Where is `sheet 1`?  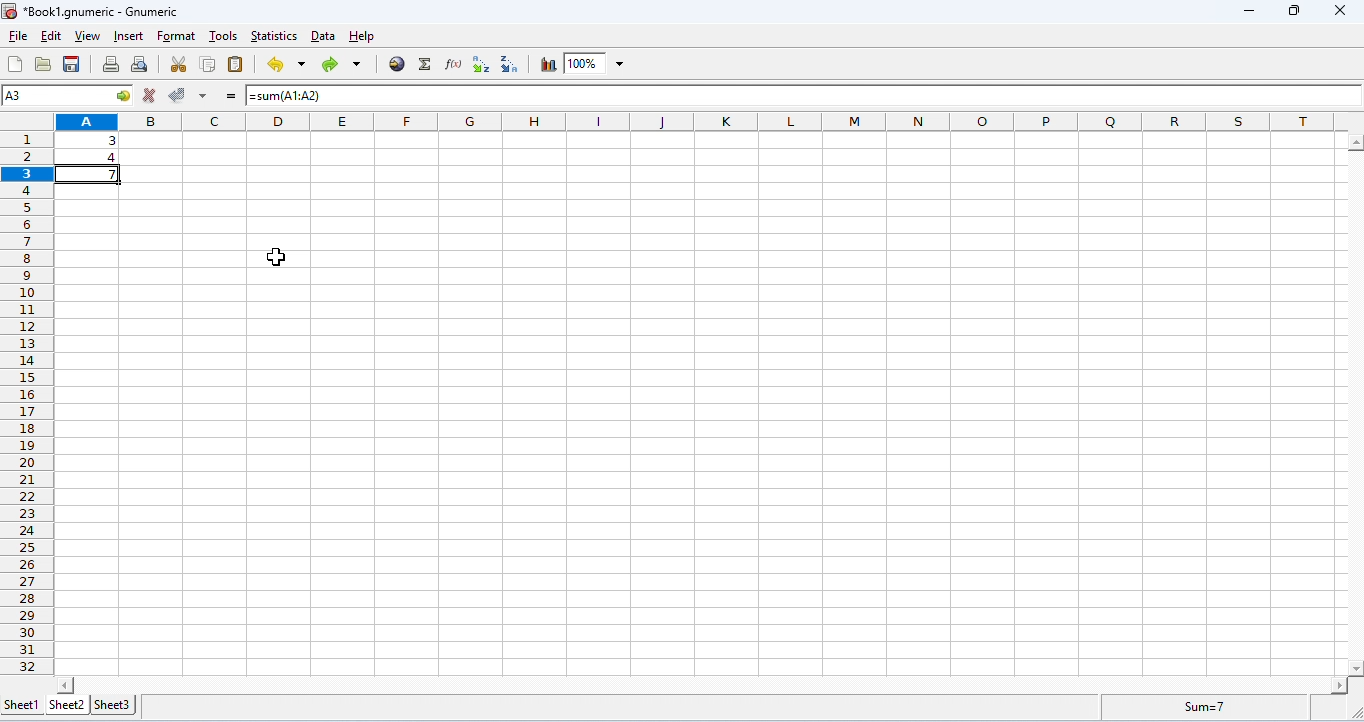 sheet 1 is located at coordinates (20, 703).